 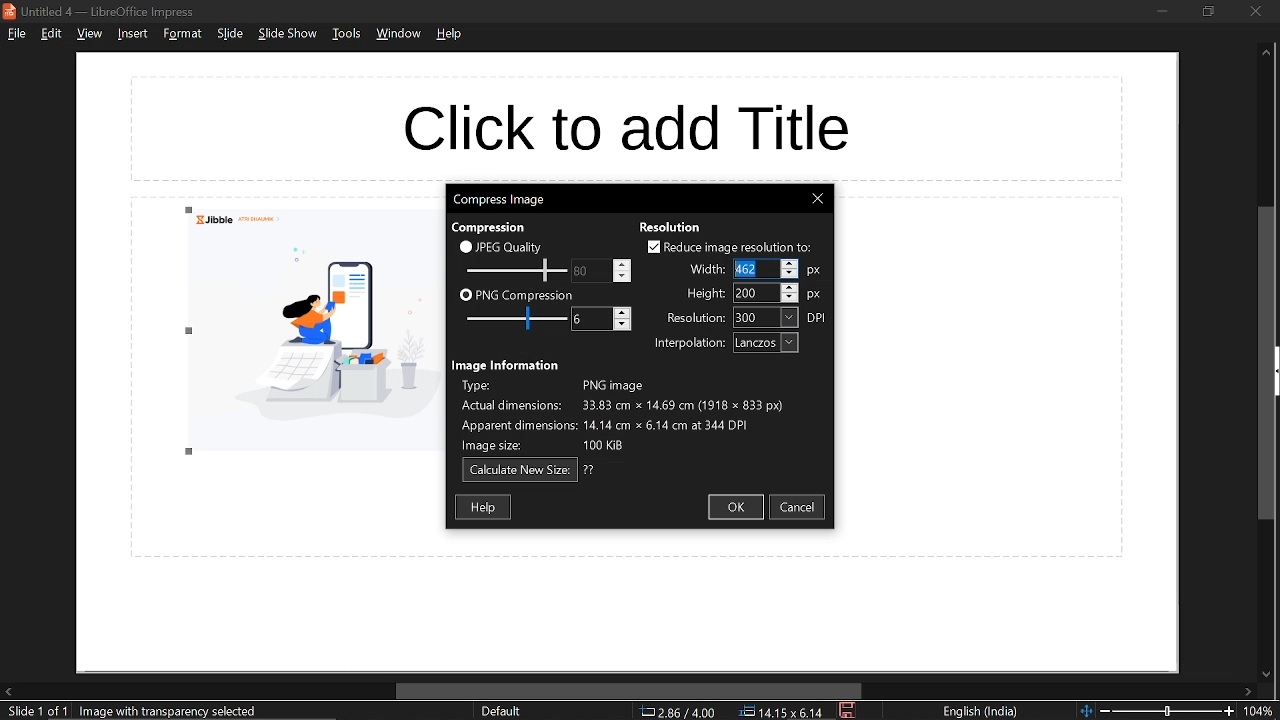 I want to click on image with transparency selected, so click(x=174, y=711).